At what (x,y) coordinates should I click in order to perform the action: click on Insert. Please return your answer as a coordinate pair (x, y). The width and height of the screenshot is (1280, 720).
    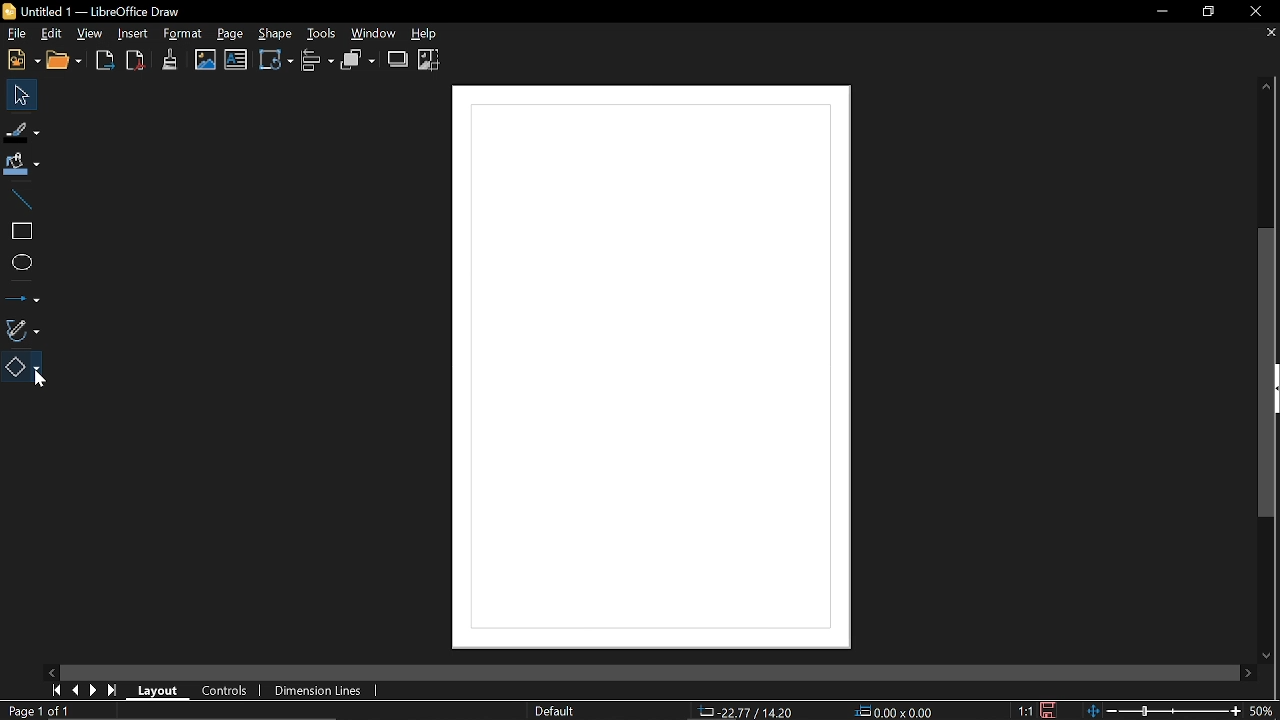
    Looking at the image, I should click on (133, 34).